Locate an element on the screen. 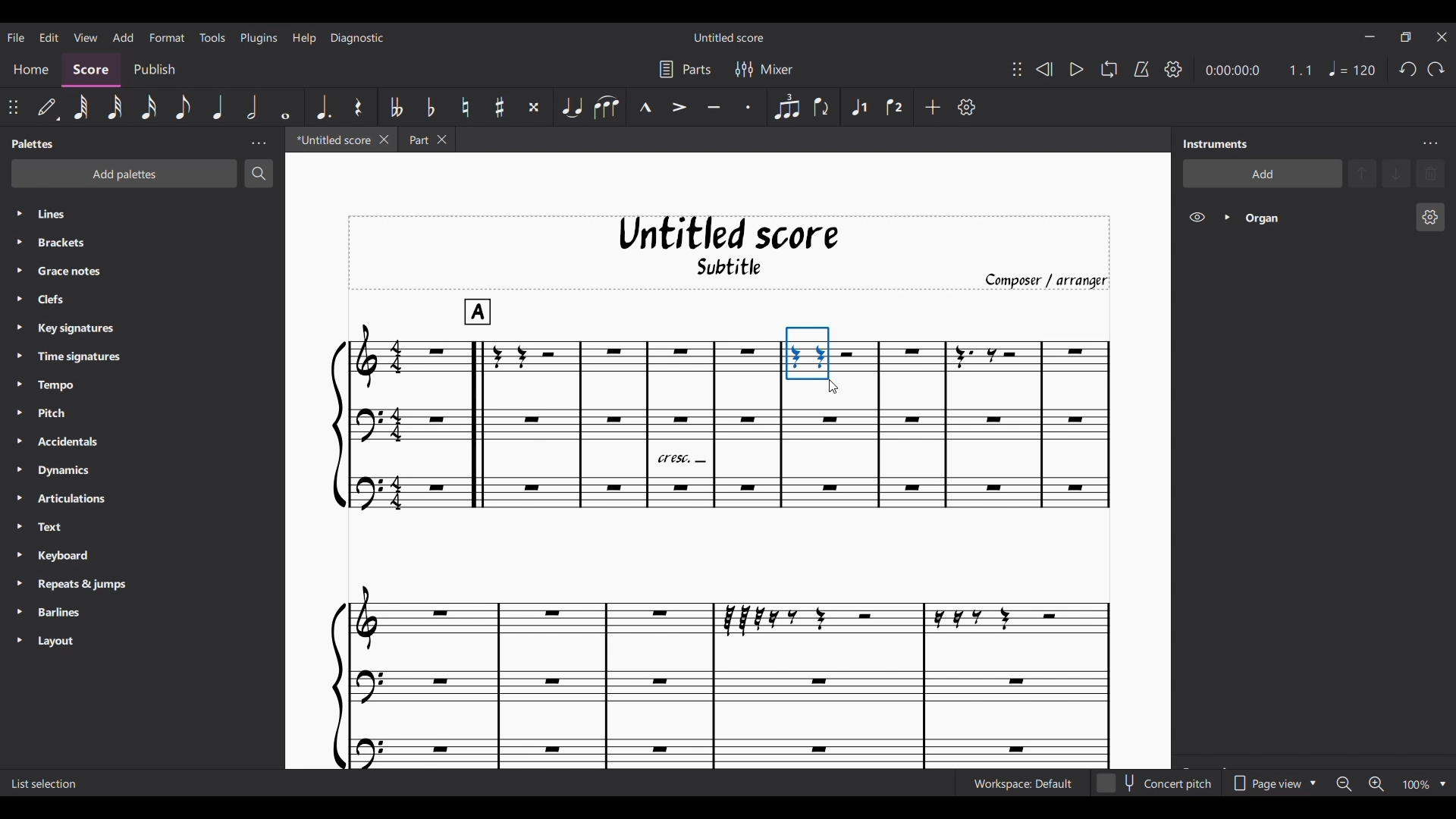  Add instrument is located at coordinates (1263, 173).